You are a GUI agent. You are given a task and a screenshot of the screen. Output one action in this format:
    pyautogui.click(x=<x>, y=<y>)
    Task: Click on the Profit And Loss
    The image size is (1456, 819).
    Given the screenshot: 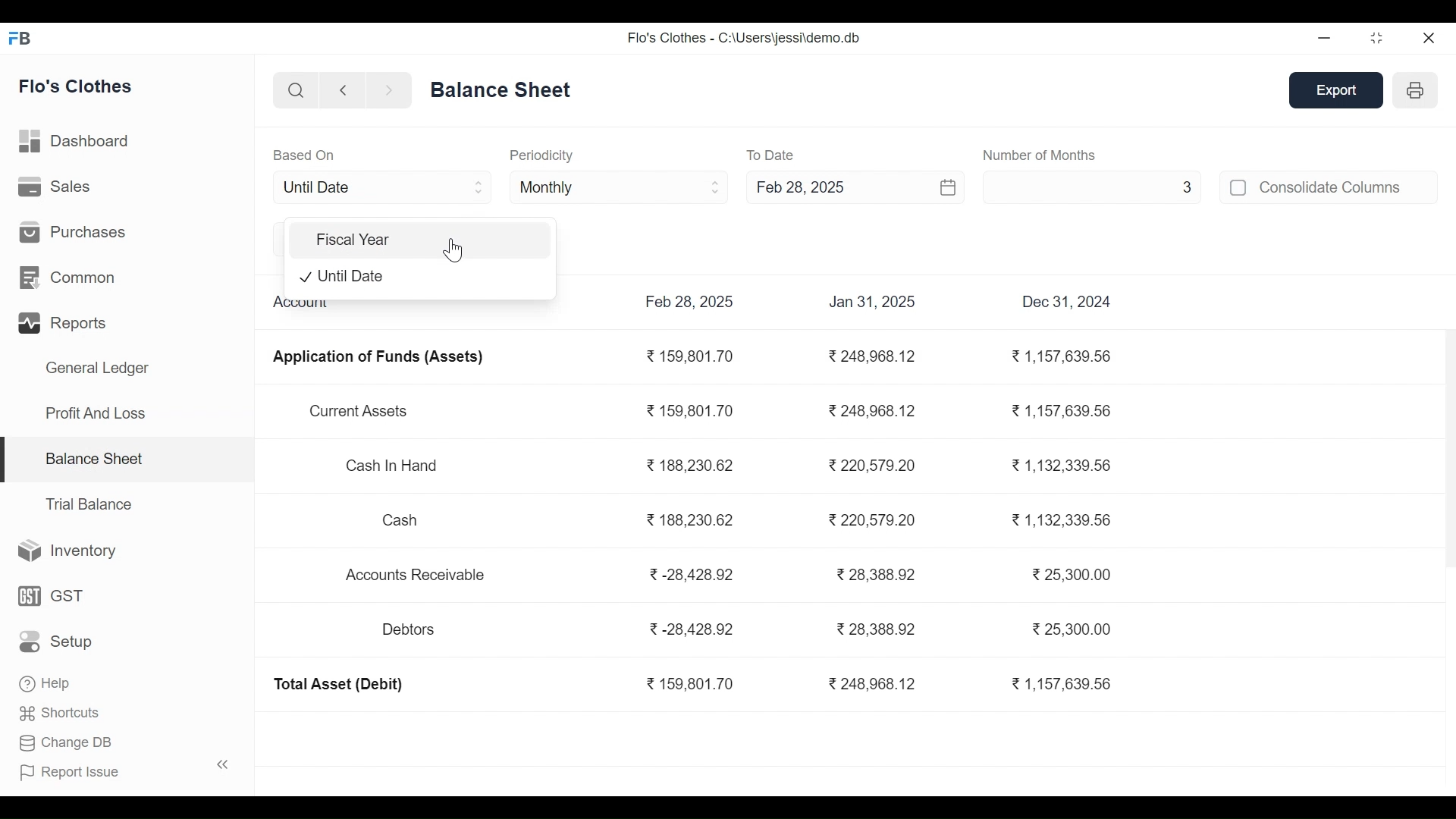 What is the action you would take?
    pyautogui.click(x=95, y=413)
    